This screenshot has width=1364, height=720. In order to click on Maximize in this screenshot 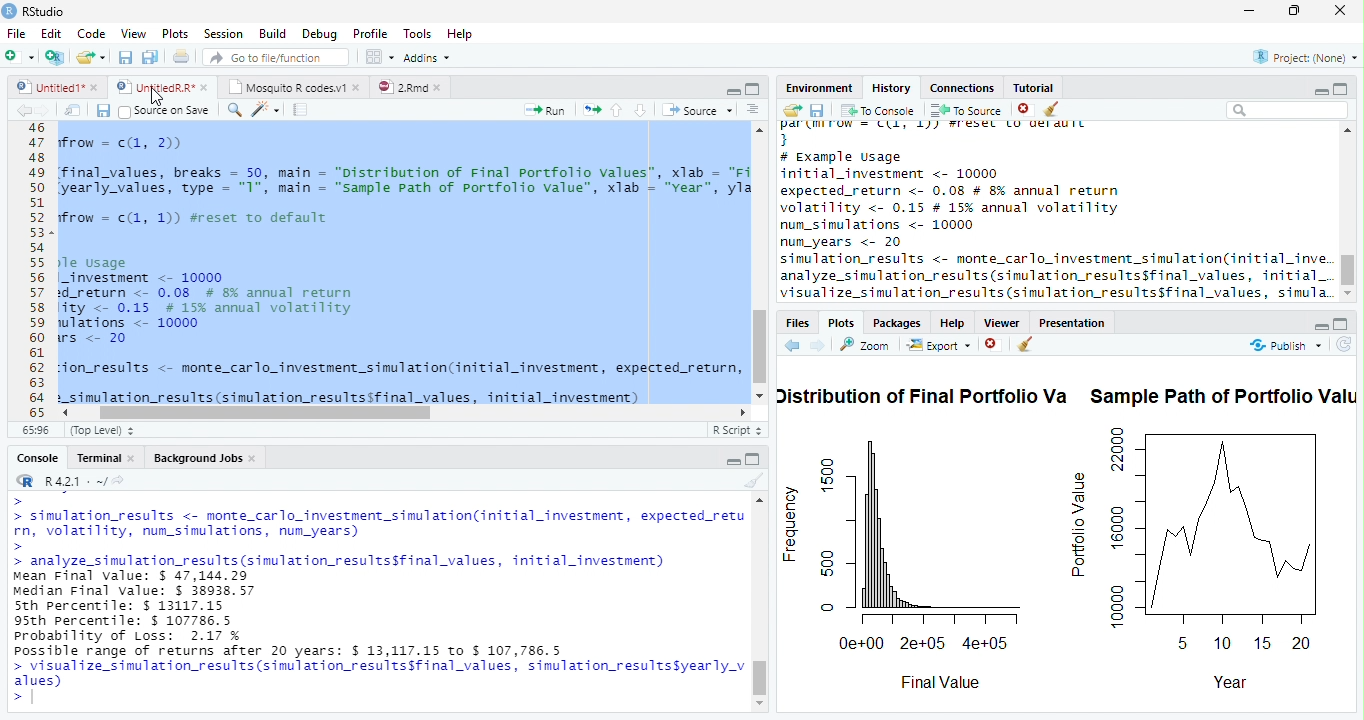, I will do `click(1299, 12)`.